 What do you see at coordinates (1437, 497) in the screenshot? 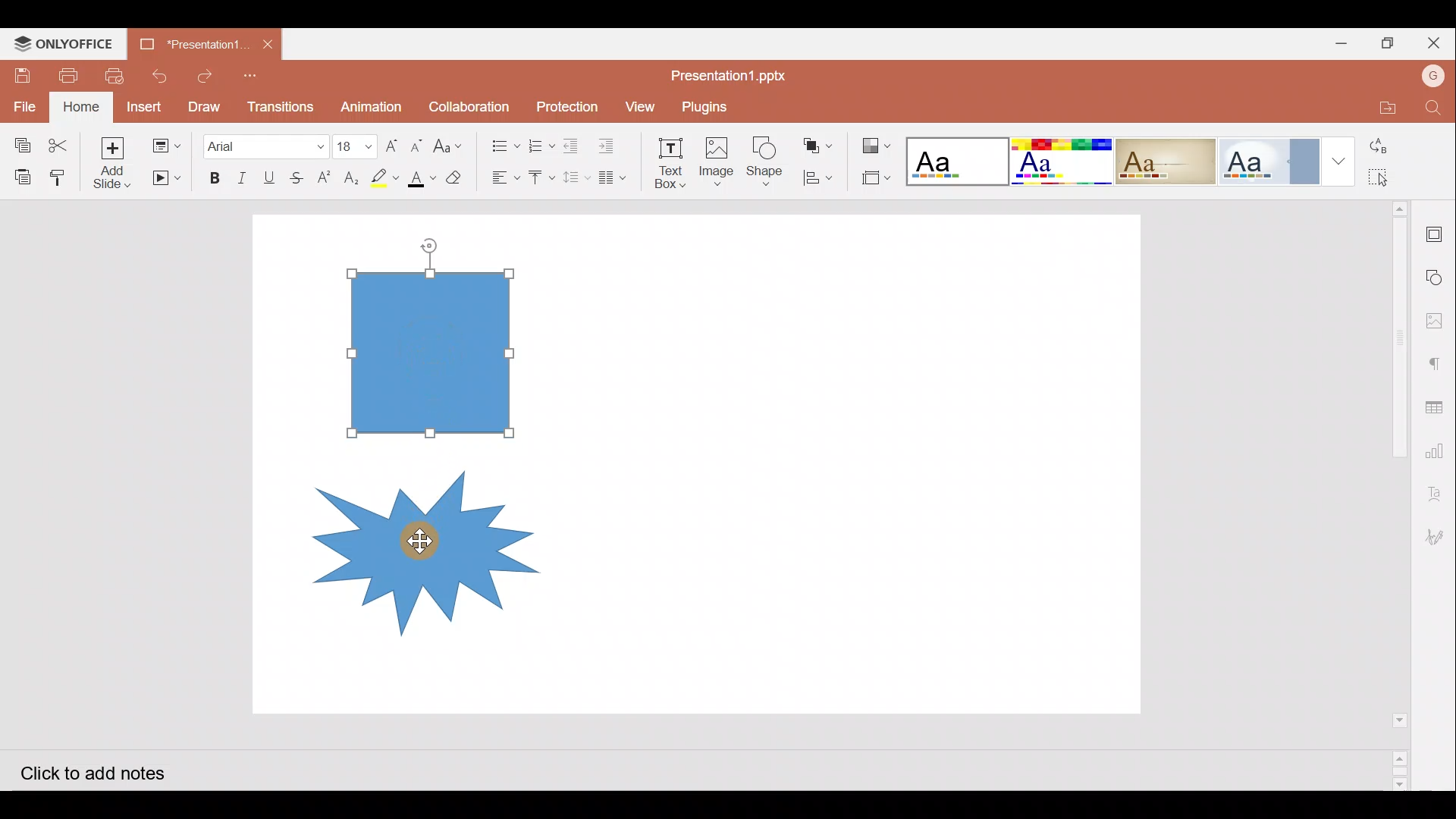
I see `Text Art settings` at bounding box center [1437, 497].